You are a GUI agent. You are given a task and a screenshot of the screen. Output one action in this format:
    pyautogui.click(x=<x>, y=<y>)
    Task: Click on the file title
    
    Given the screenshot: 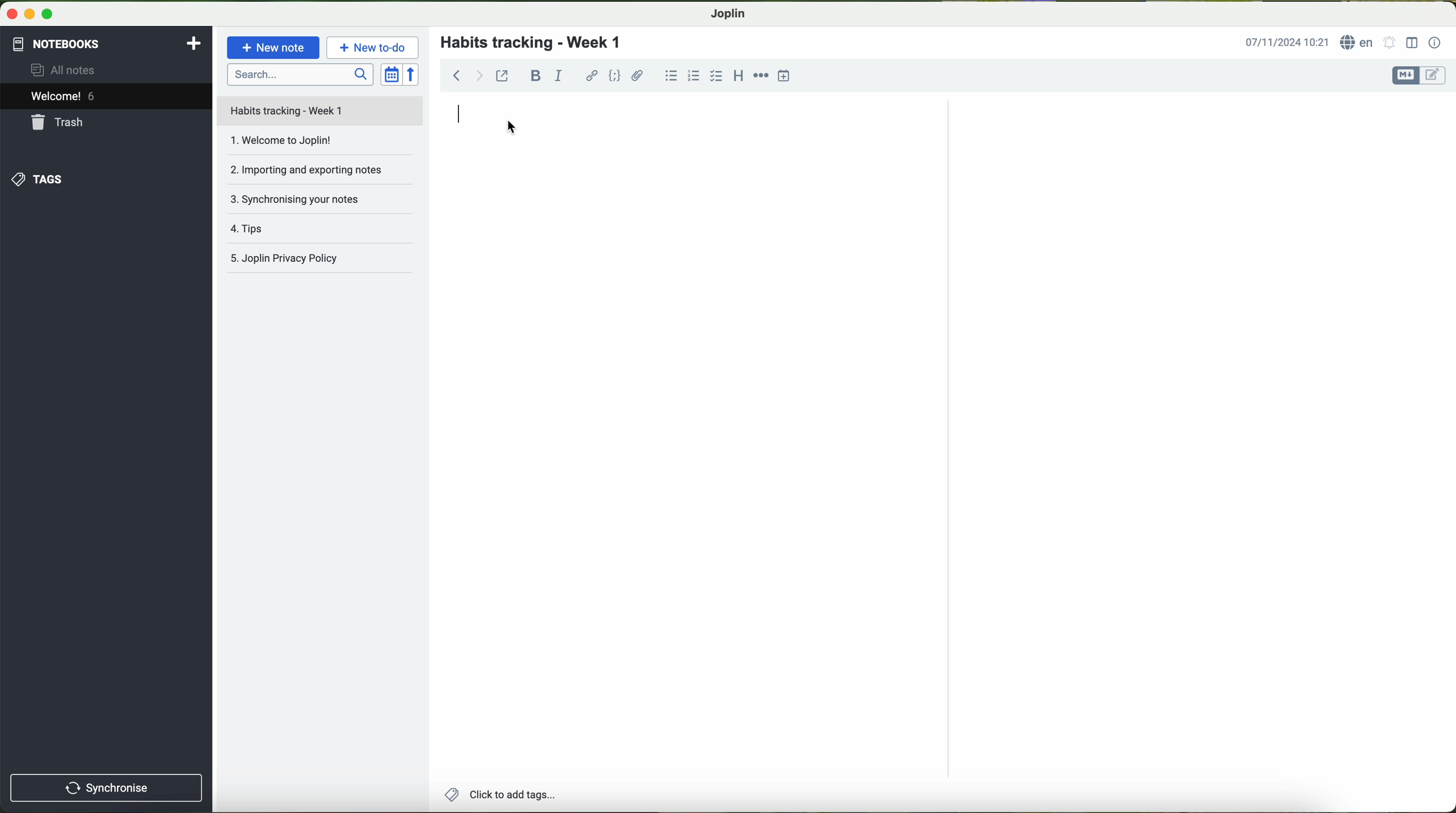 What is the action you would take?
    pyautogui.click(x=320, y=111)
    